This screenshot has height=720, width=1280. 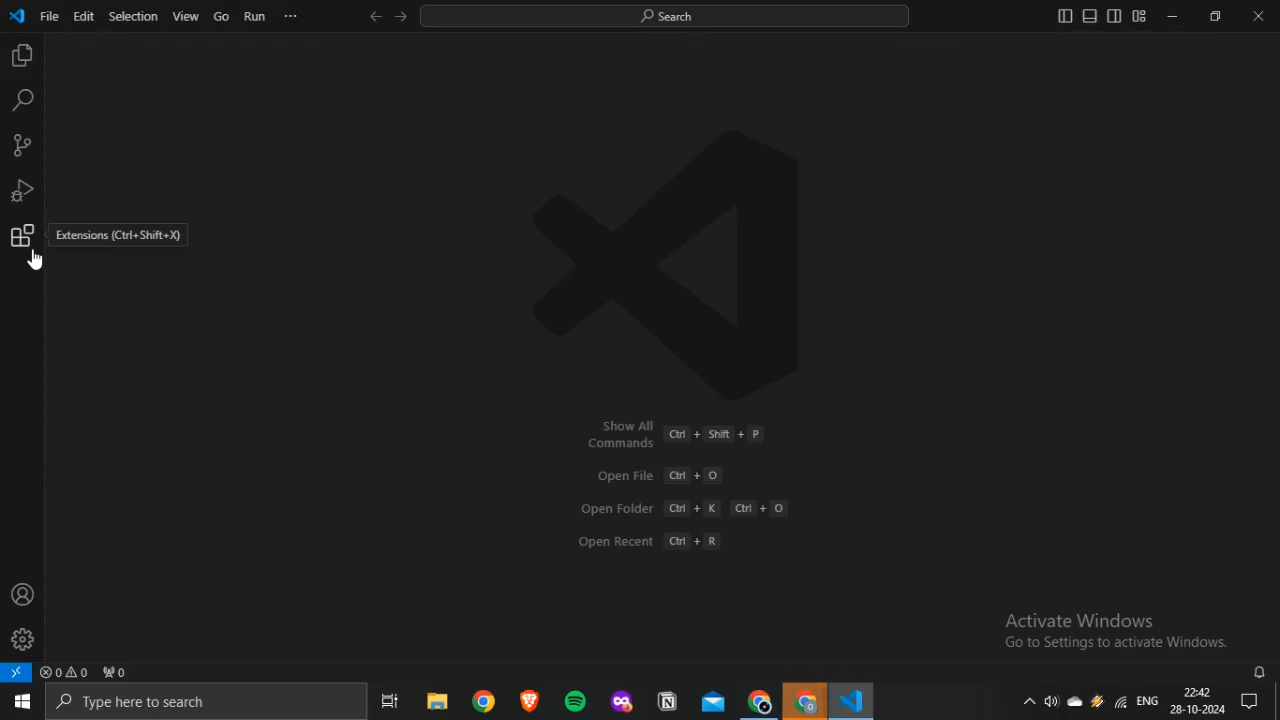 I want to click on onedrive, so click(x=1075, y=702).